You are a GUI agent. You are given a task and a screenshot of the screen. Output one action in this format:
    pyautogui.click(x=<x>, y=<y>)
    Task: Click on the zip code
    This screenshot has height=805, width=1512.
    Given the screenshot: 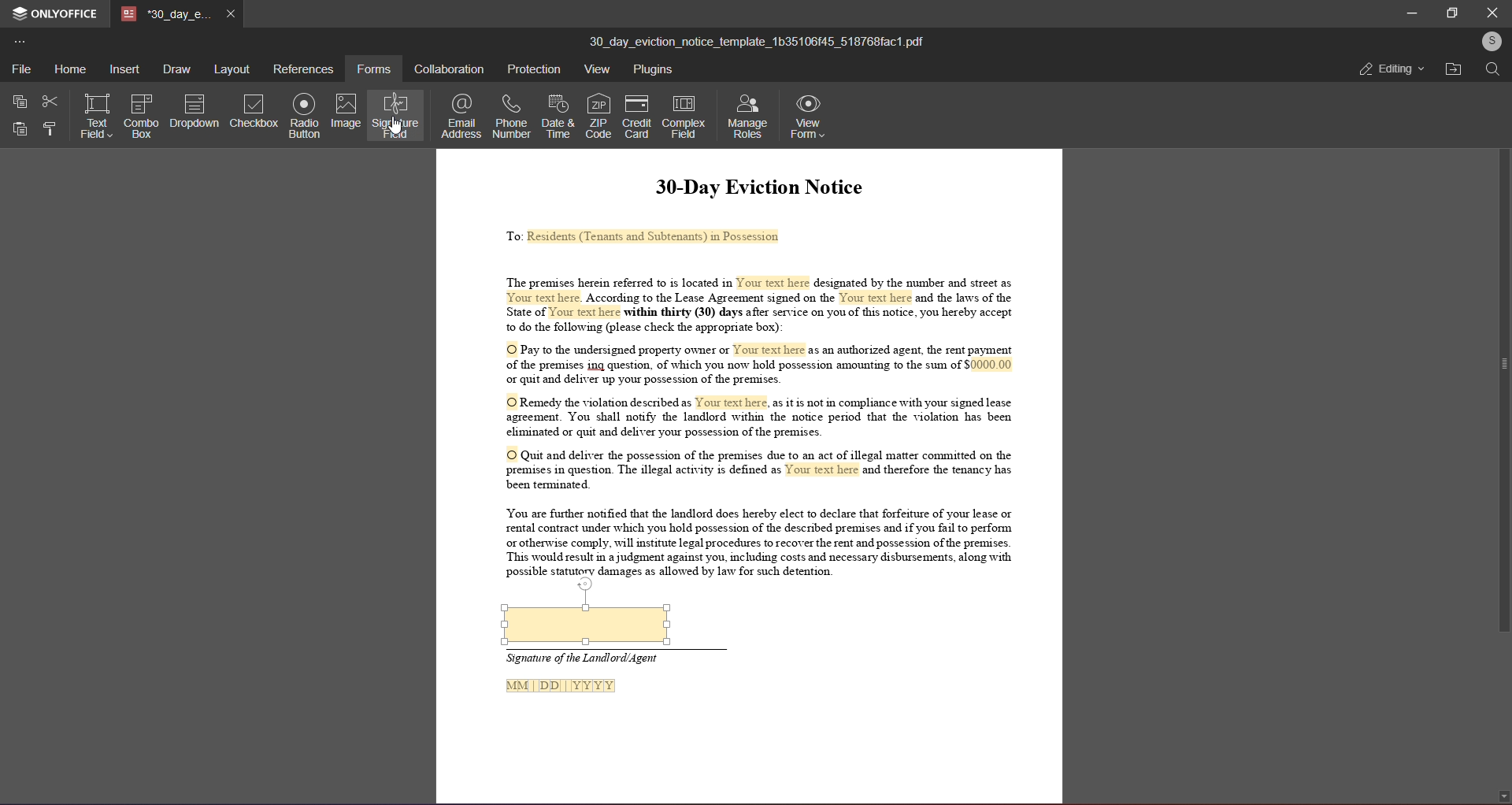 What is the action you would take?
    pyautogui.click(x=598, y=113)
    